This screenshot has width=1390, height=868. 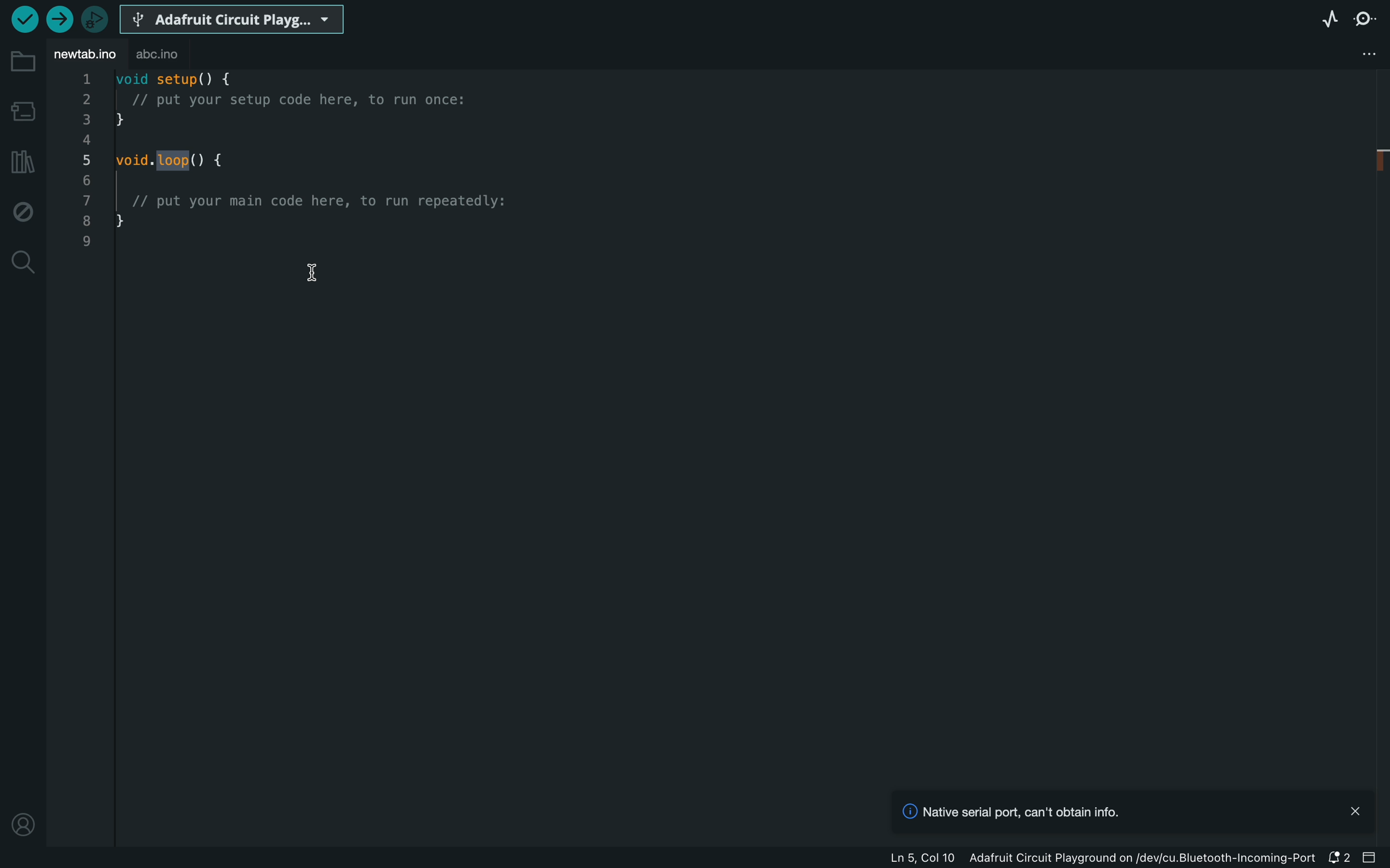 What do you see at coordinates (21, 113) in the screenshot?
I see `board manager` at bounding box center [21, 113].